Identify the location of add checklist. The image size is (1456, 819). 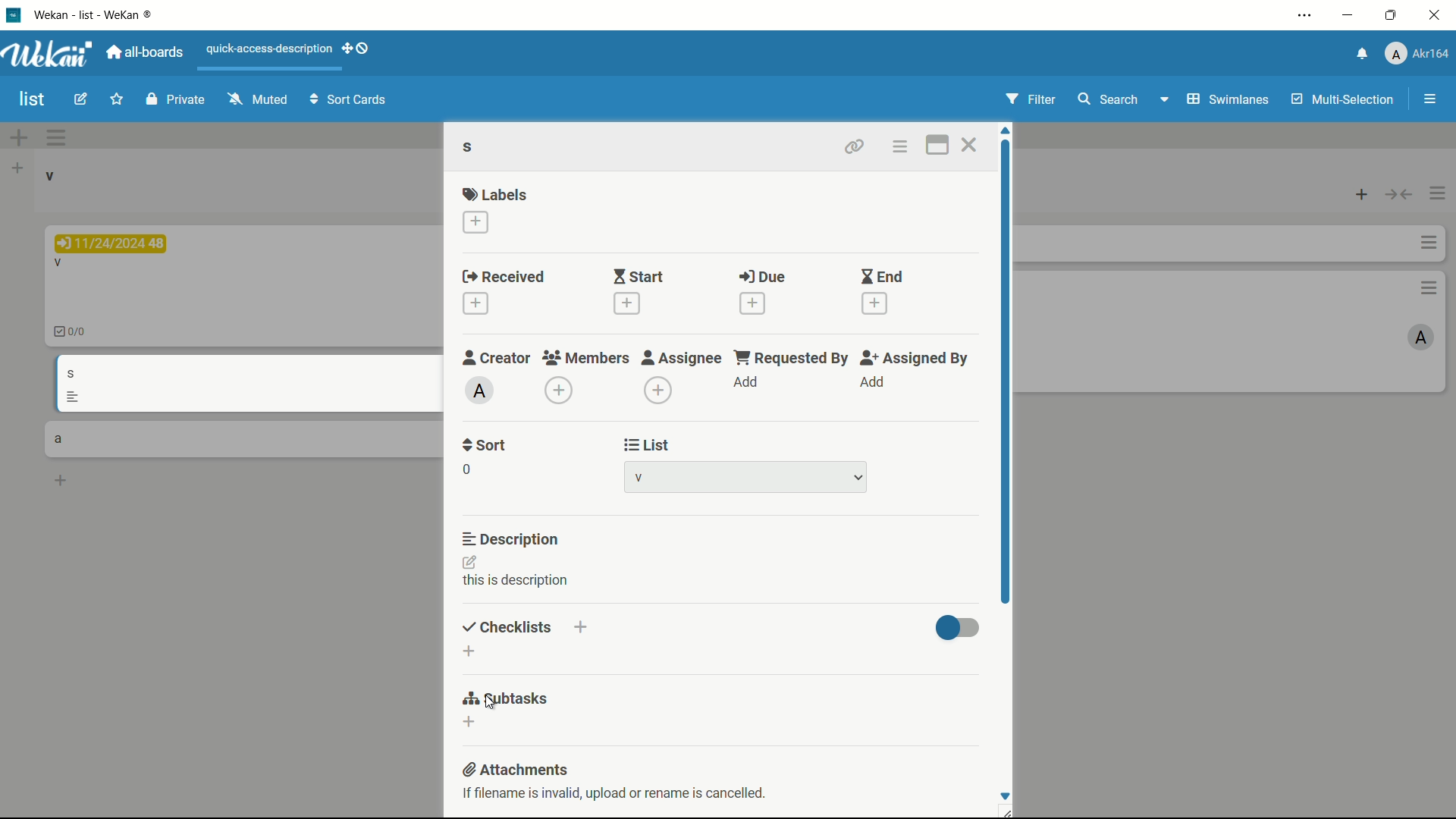
(579, 628).